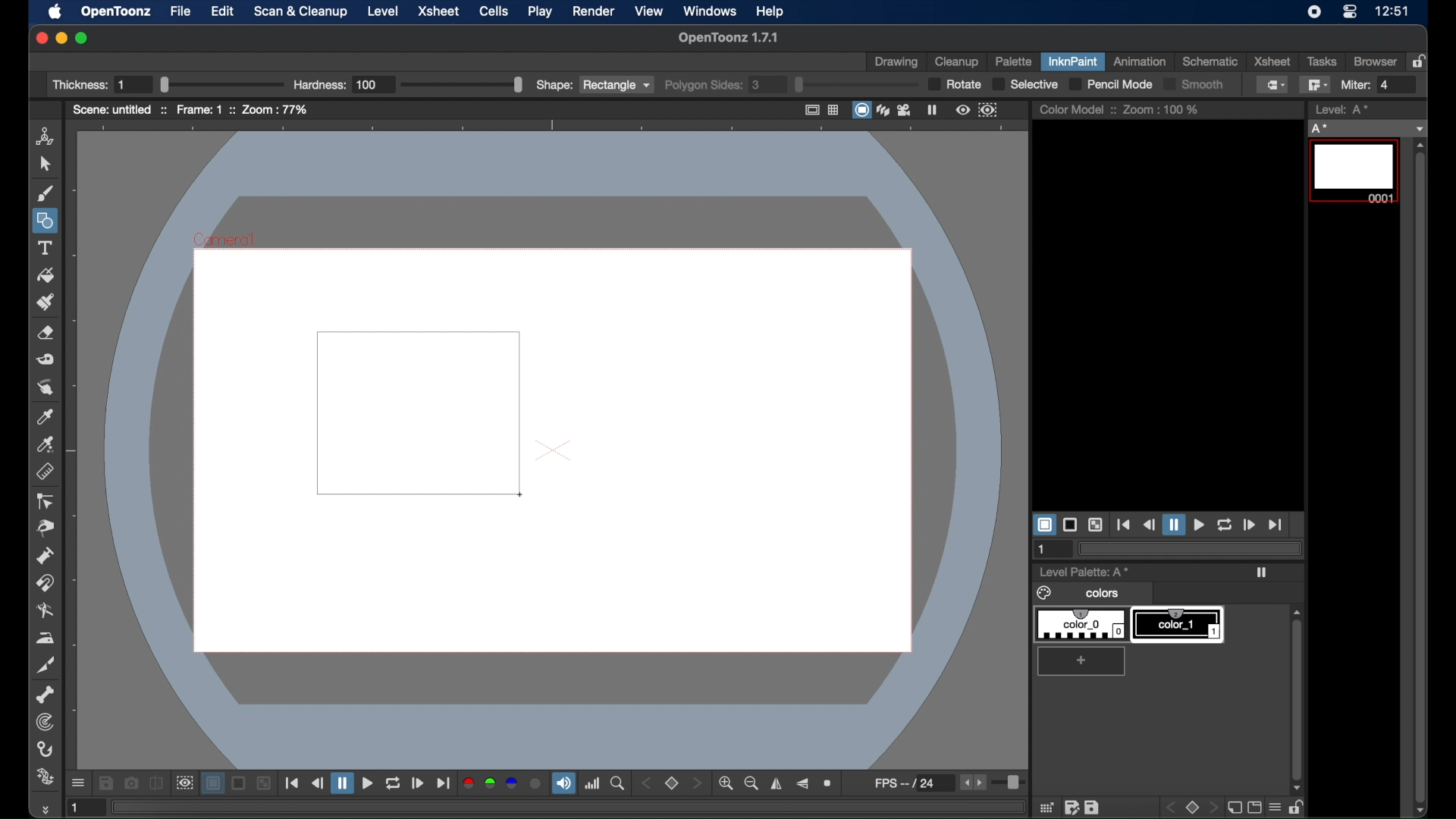 The image size is (1456, 819). I want to click on set view, so click(672, 784).